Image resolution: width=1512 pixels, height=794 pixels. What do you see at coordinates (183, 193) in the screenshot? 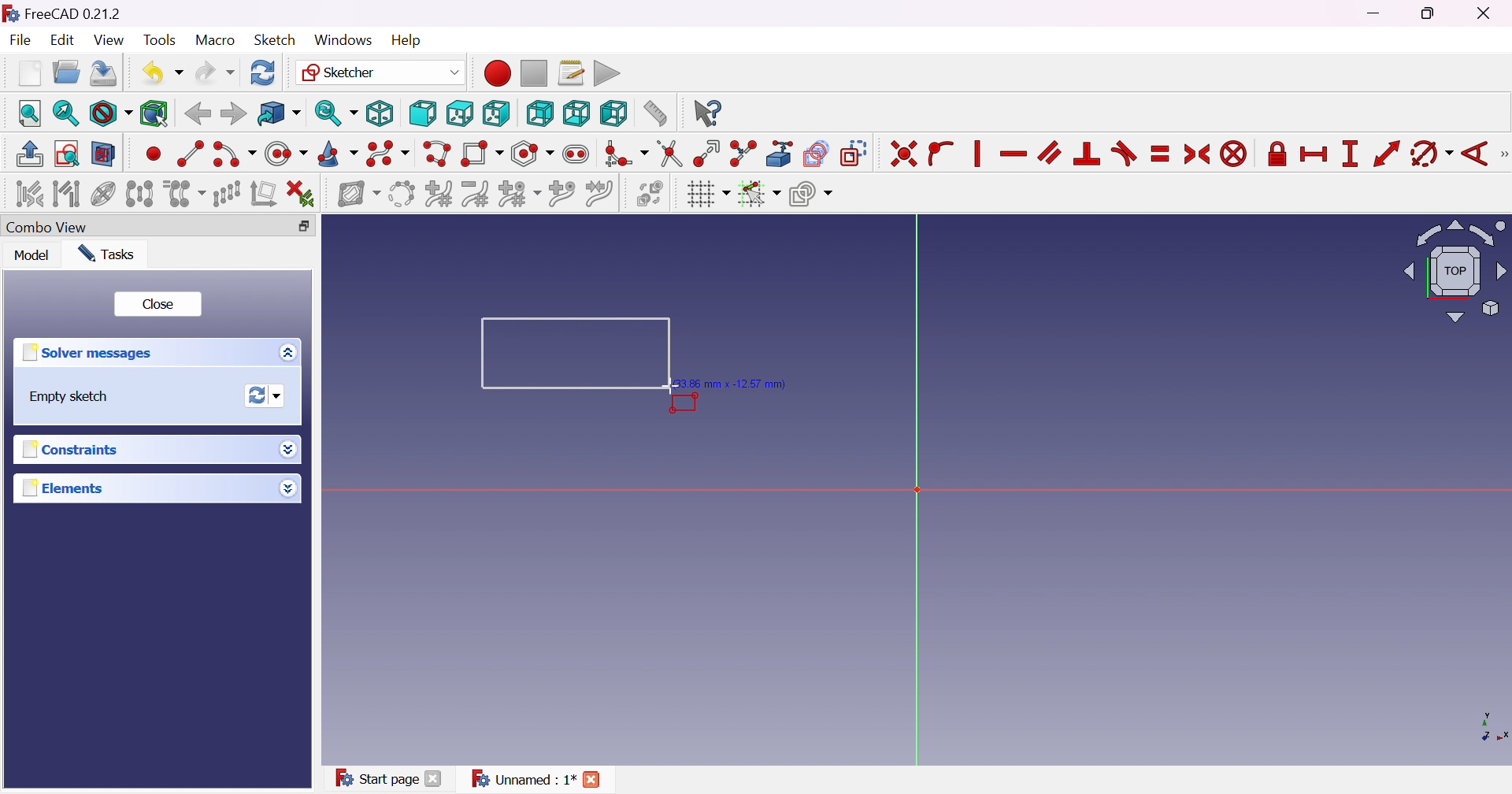
I see `Clone` at bounding box center [183, 193].